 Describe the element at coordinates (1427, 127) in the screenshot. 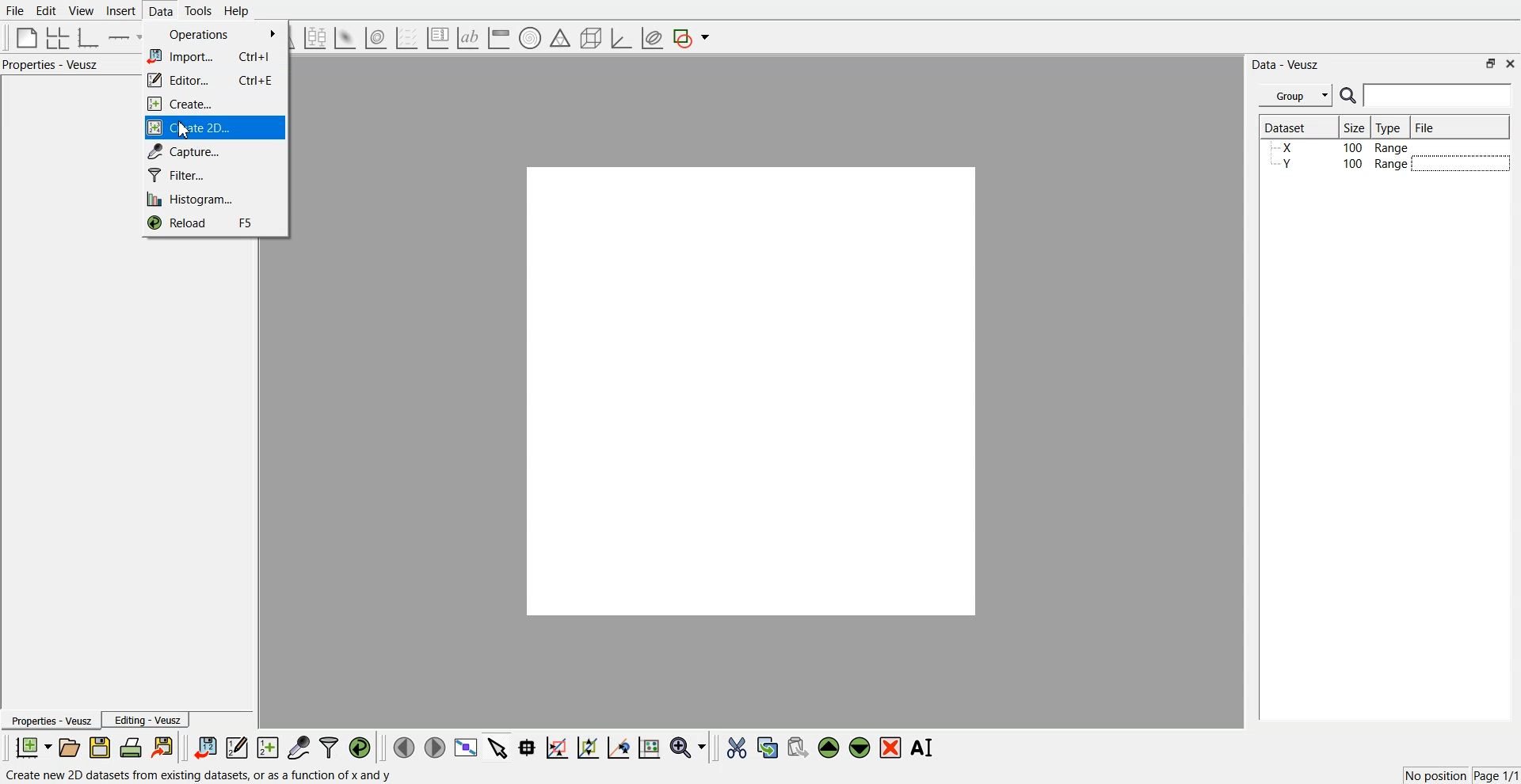

I see `File` at that location.